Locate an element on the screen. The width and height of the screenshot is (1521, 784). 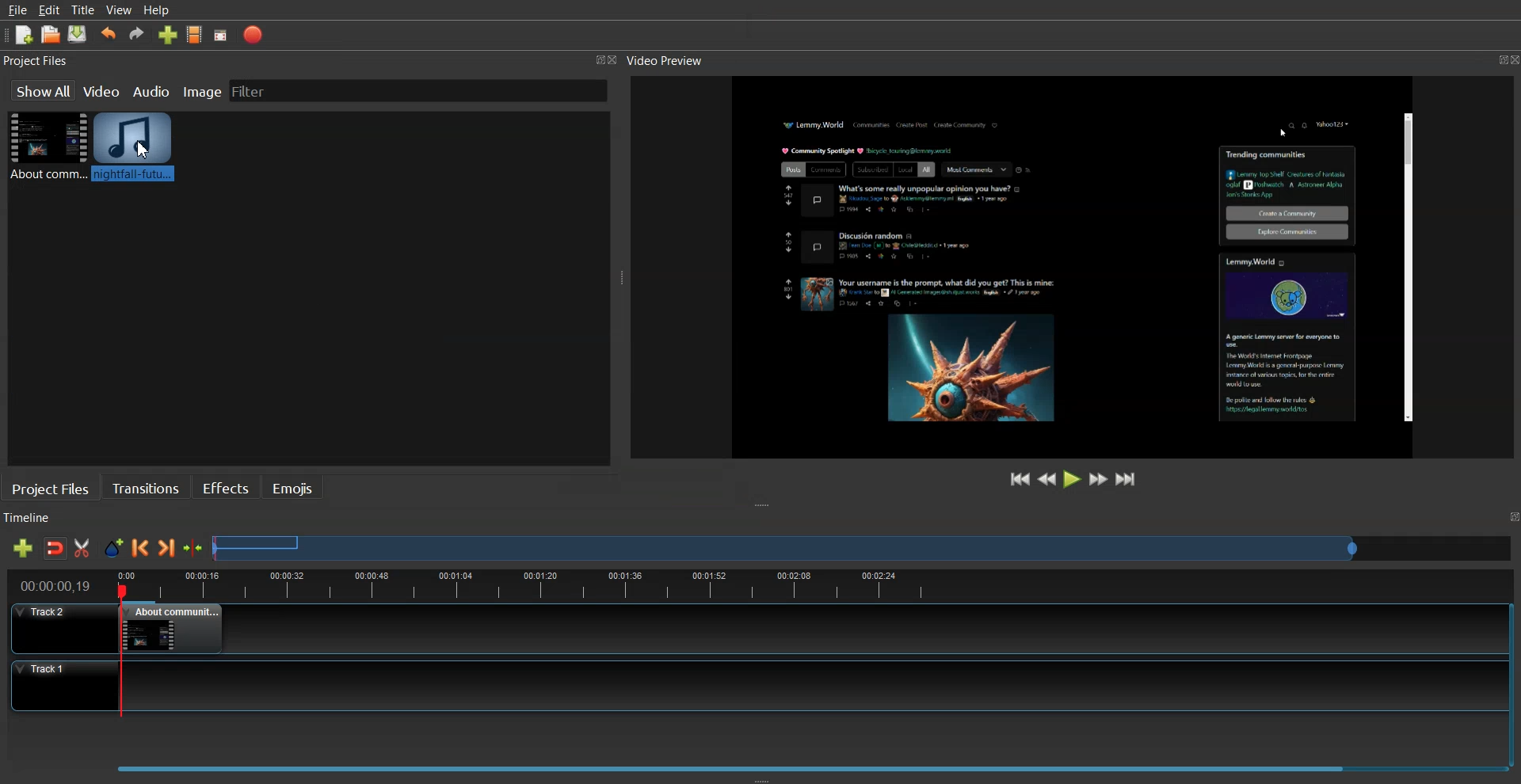
Redo is located at coordinates (137, 33).